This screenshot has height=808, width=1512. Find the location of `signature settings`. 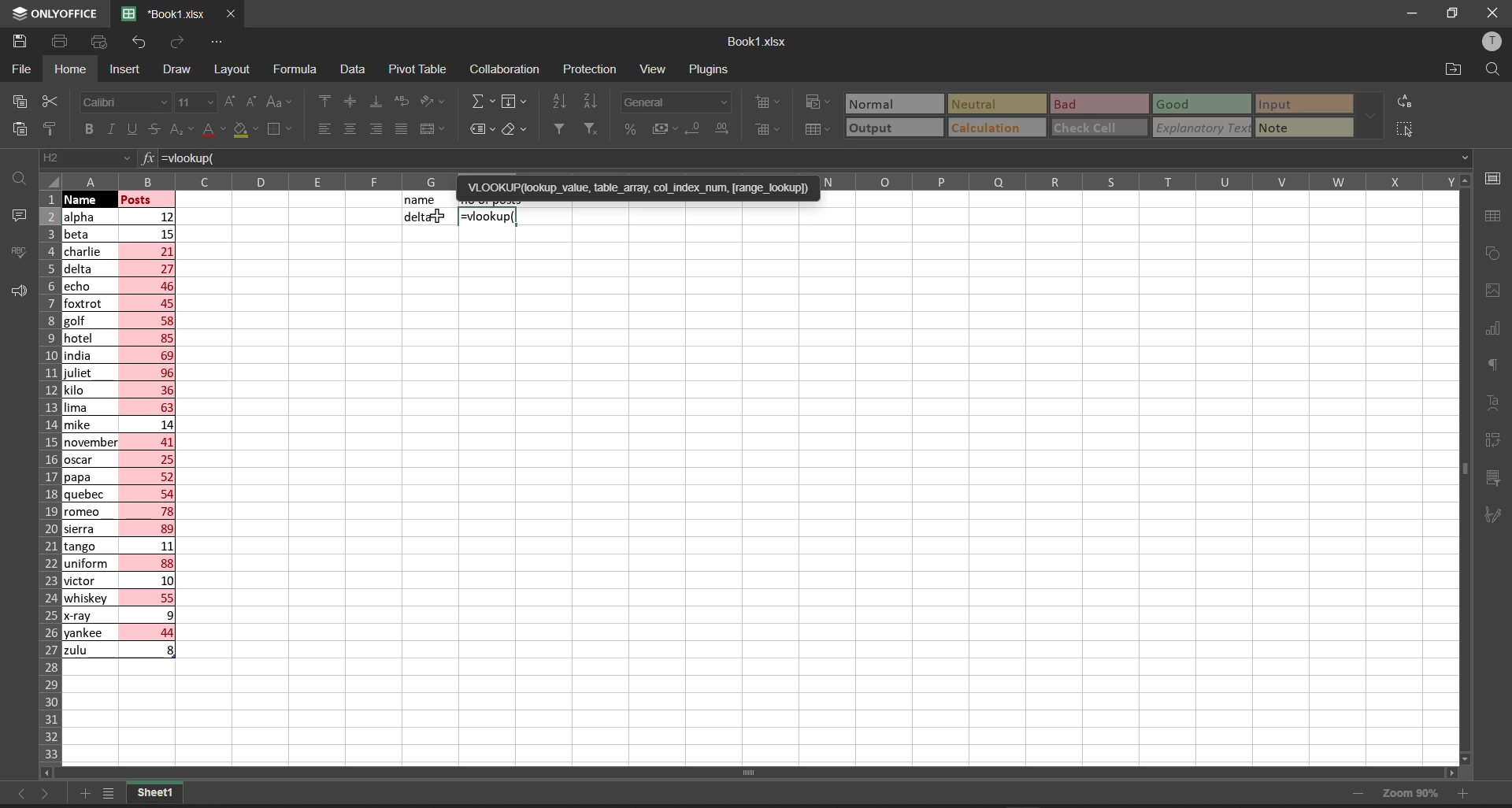

signature settings is located at coordinates (1498, 513).